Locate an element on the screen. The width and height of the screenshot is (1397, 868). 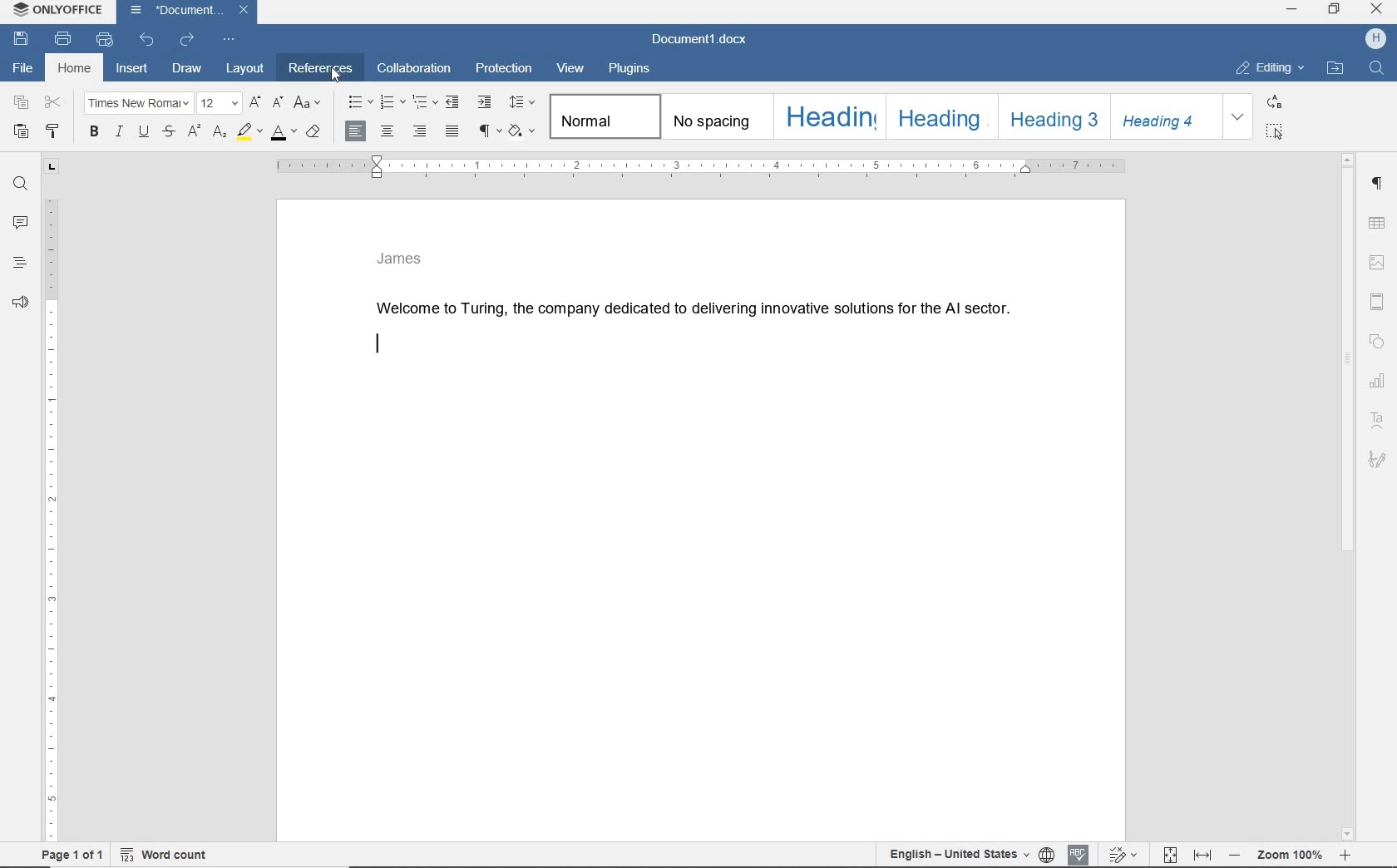
layout is located at coordinates (244, 67).